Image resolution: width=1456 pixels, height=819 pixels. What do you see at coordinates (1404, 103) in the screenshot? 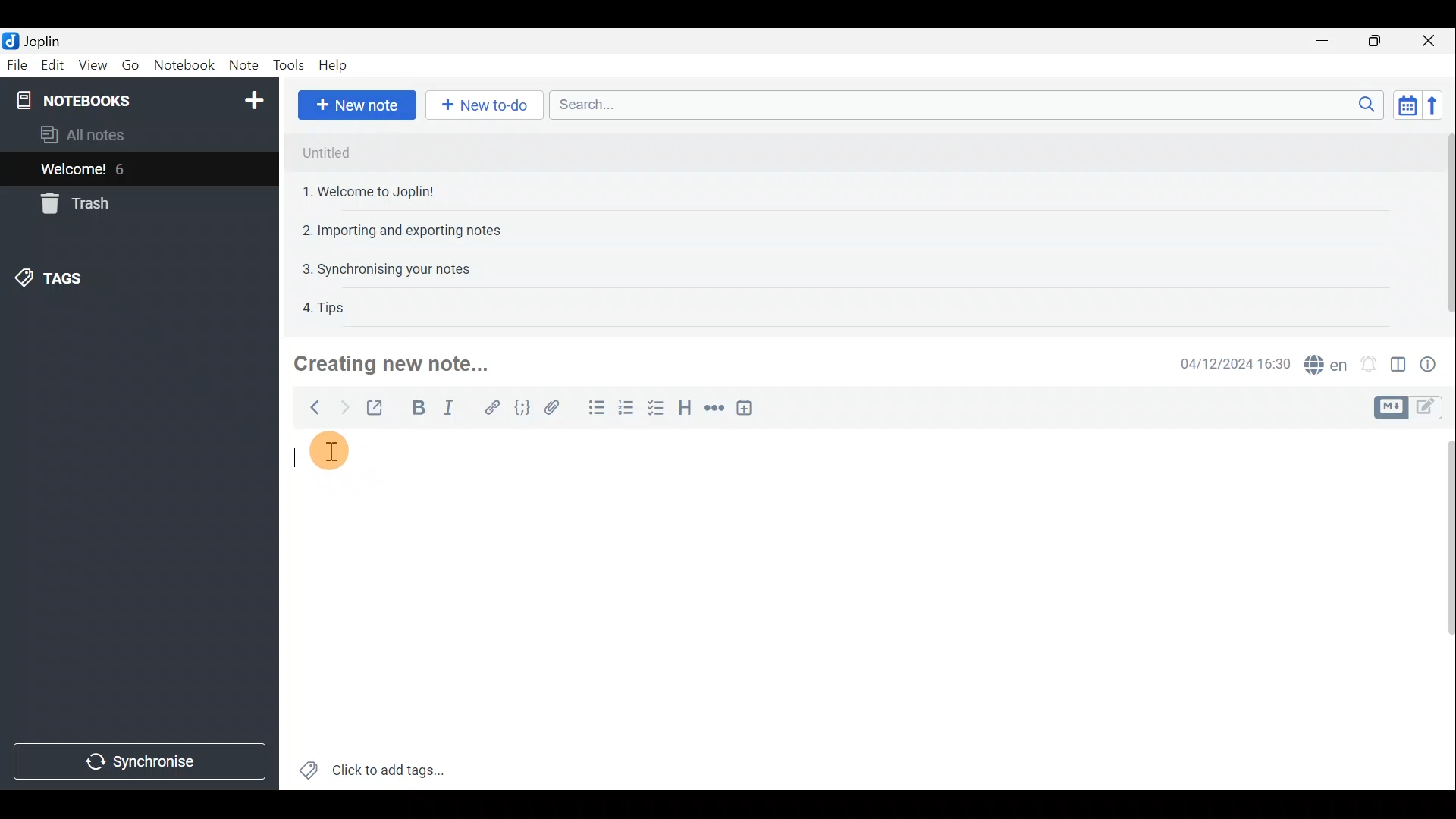
I see `Toggle sort order` at bounding box center [1404, 103].